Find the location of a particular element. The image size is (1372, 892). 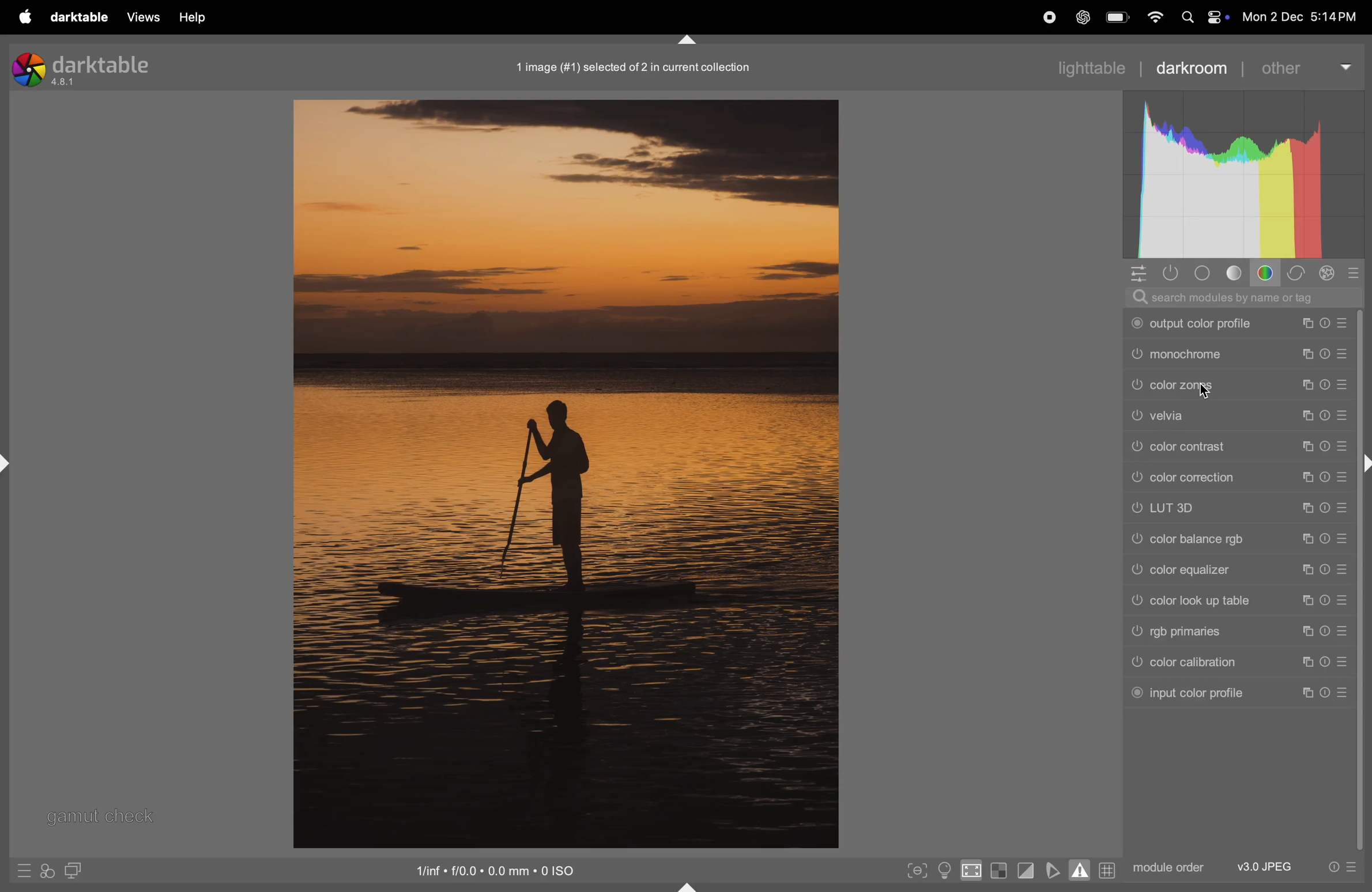

battery is located at coordinates (1118, 16).